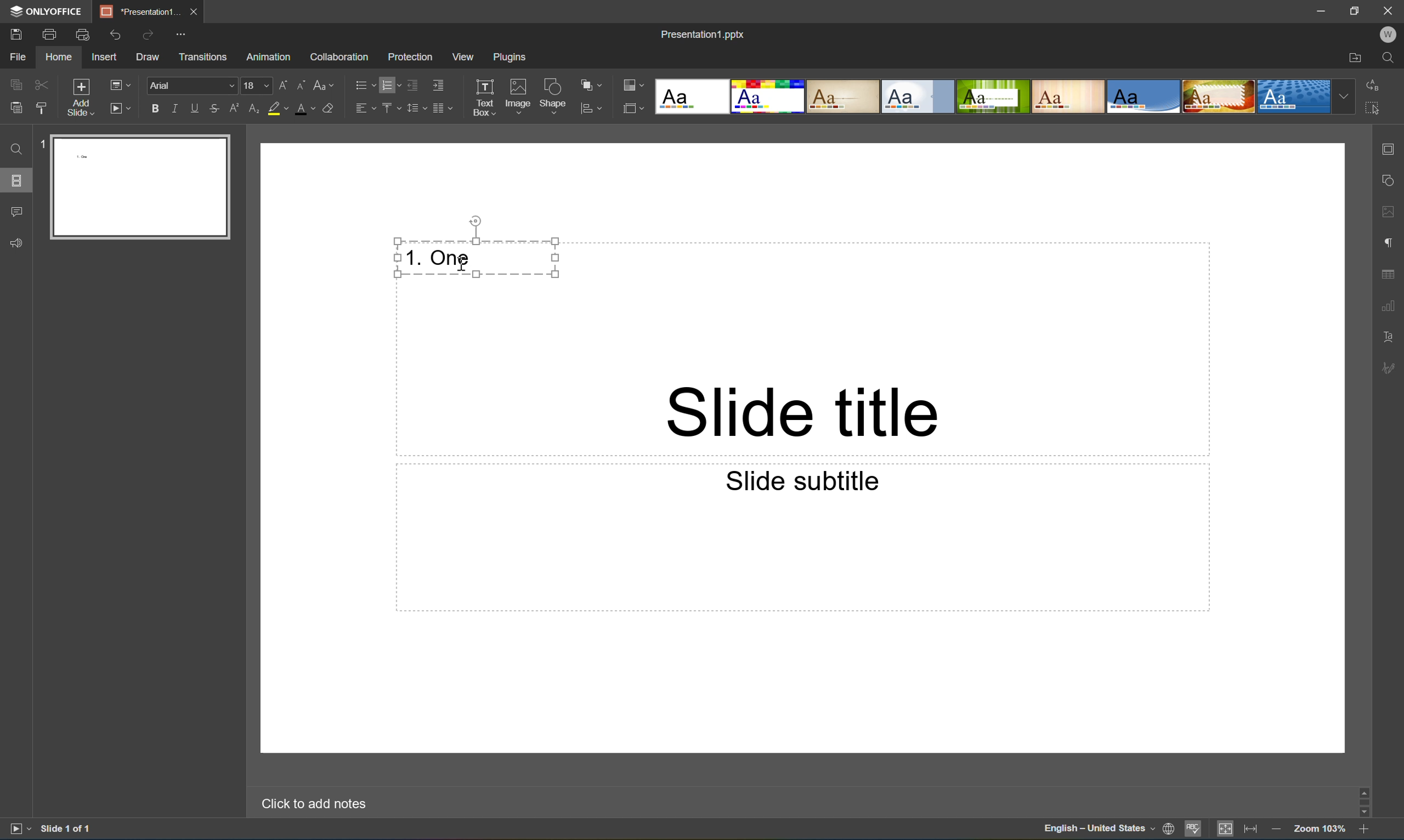 Image resolution: width=1404 pixels, height=840 pixels. What do you see at coordinates (1389, 275) in the screenshot?
I see `Table settings` at bounding box center [1389, 275].